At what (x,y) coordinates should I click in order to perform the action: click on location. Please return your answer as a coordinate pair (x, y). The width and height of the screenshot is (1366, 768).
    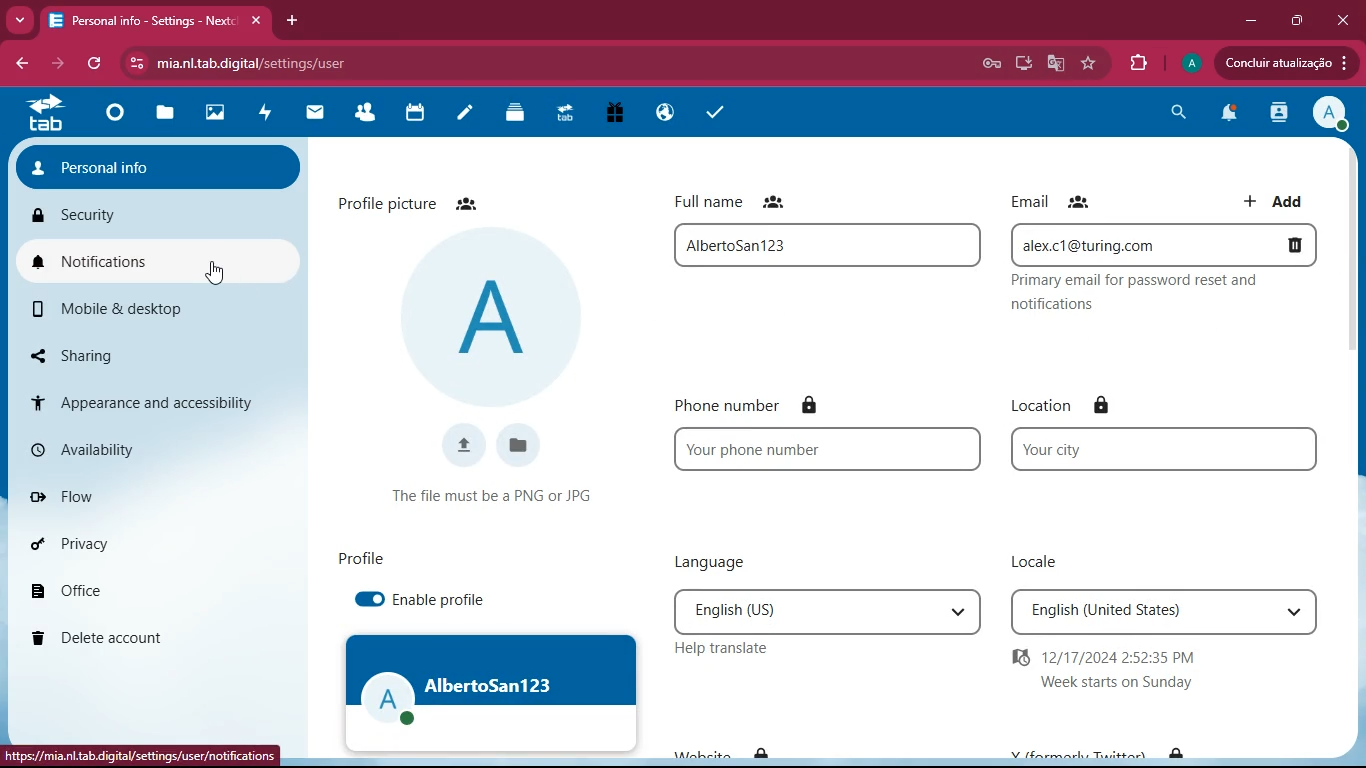
    Looking at the image, I should click on (1159, 447).